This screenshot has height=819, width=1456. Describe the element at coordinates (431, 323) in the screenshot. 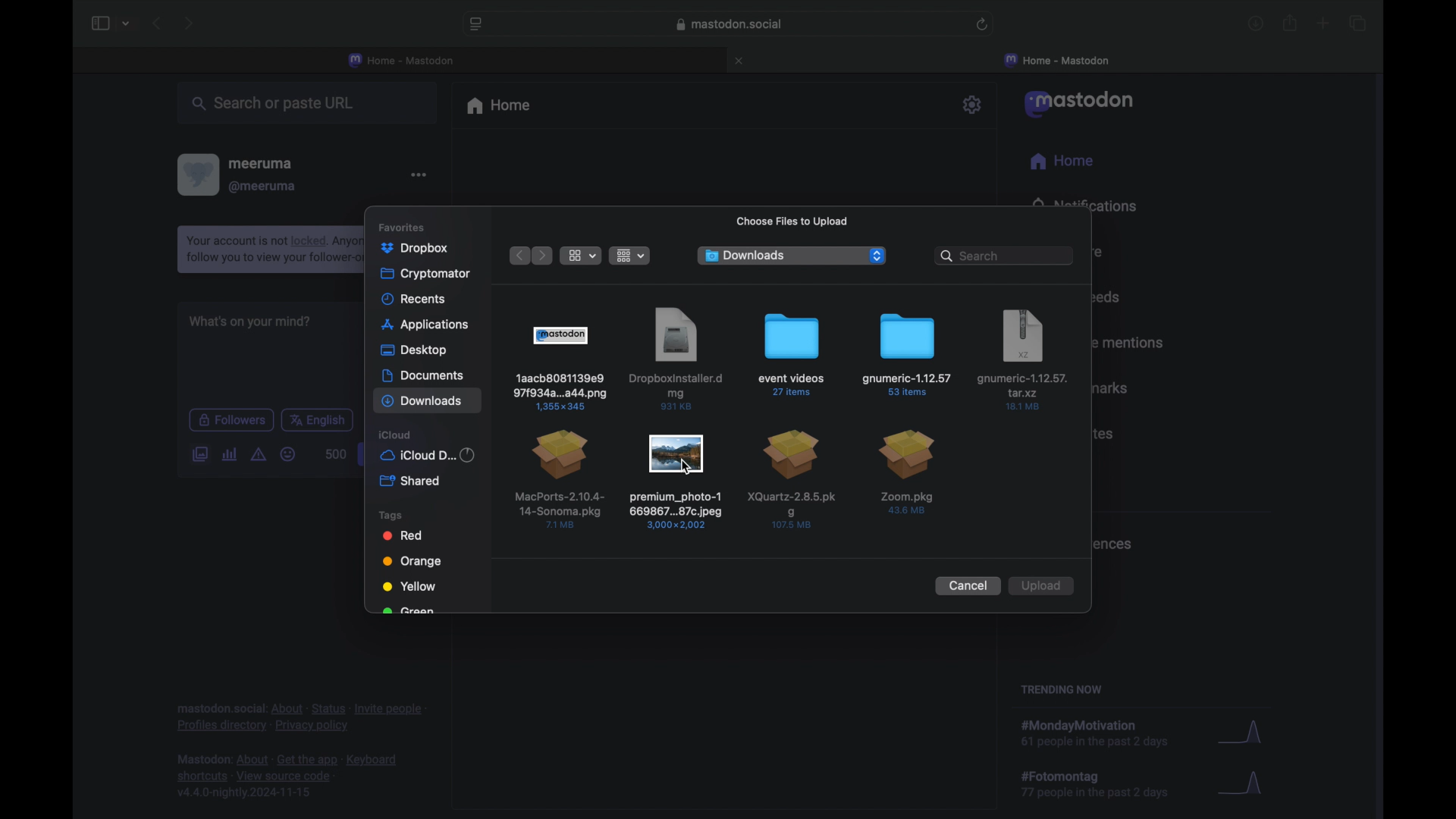

I see `applications` at that location.